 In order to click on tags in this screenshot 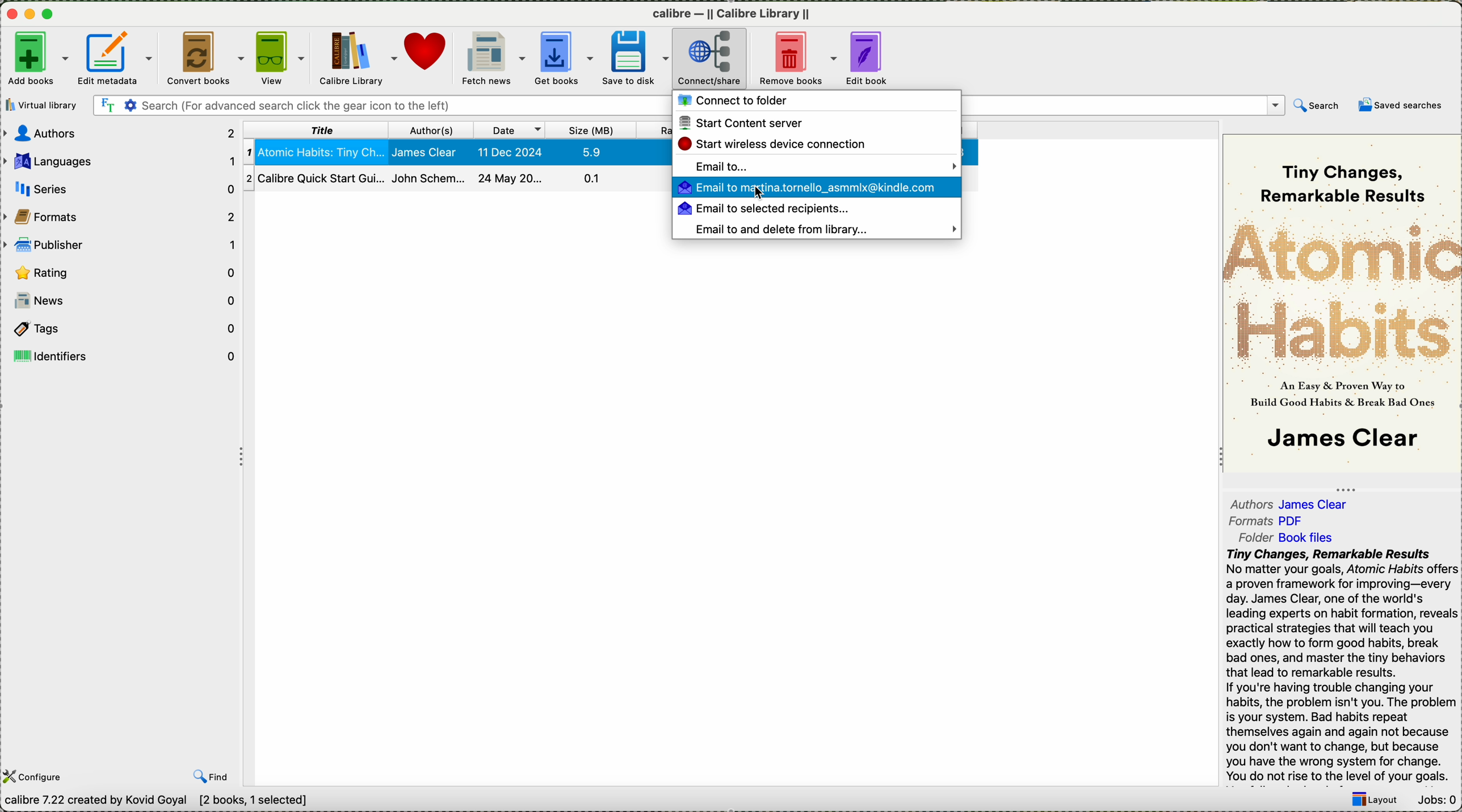, I will do `click(121, 330)`.